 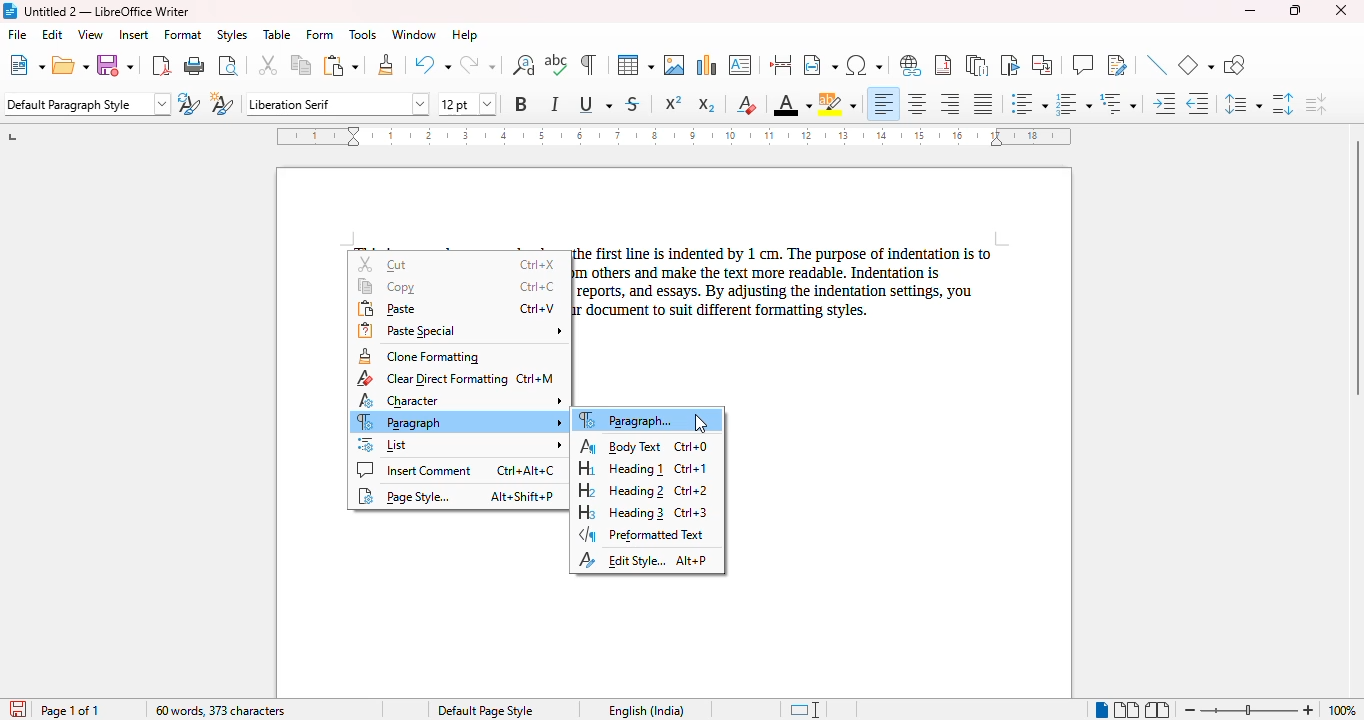 I want to click on logo, so click(x=9, y=11).